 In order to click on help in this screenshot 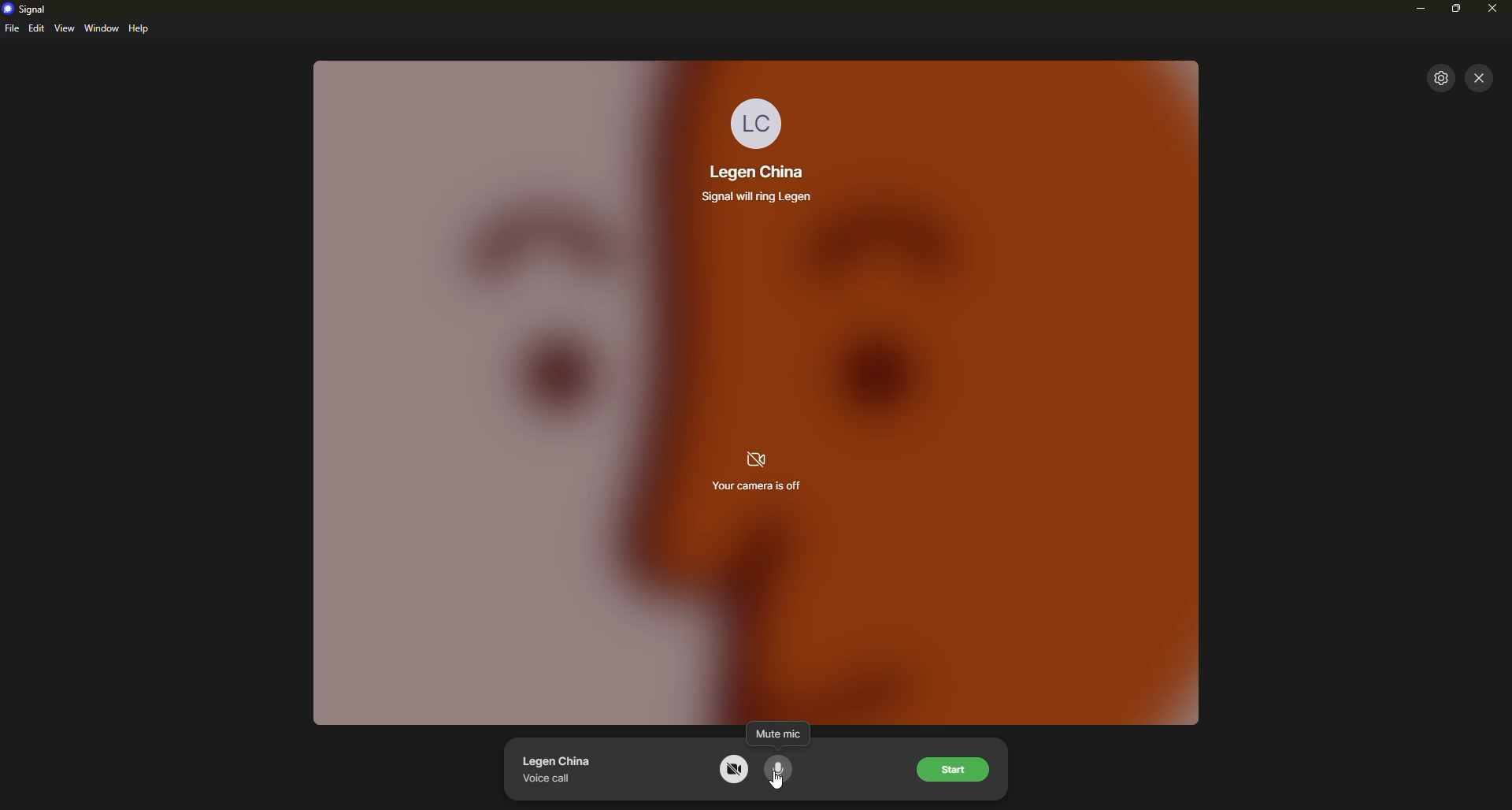, I will do `click(141, 28)`.